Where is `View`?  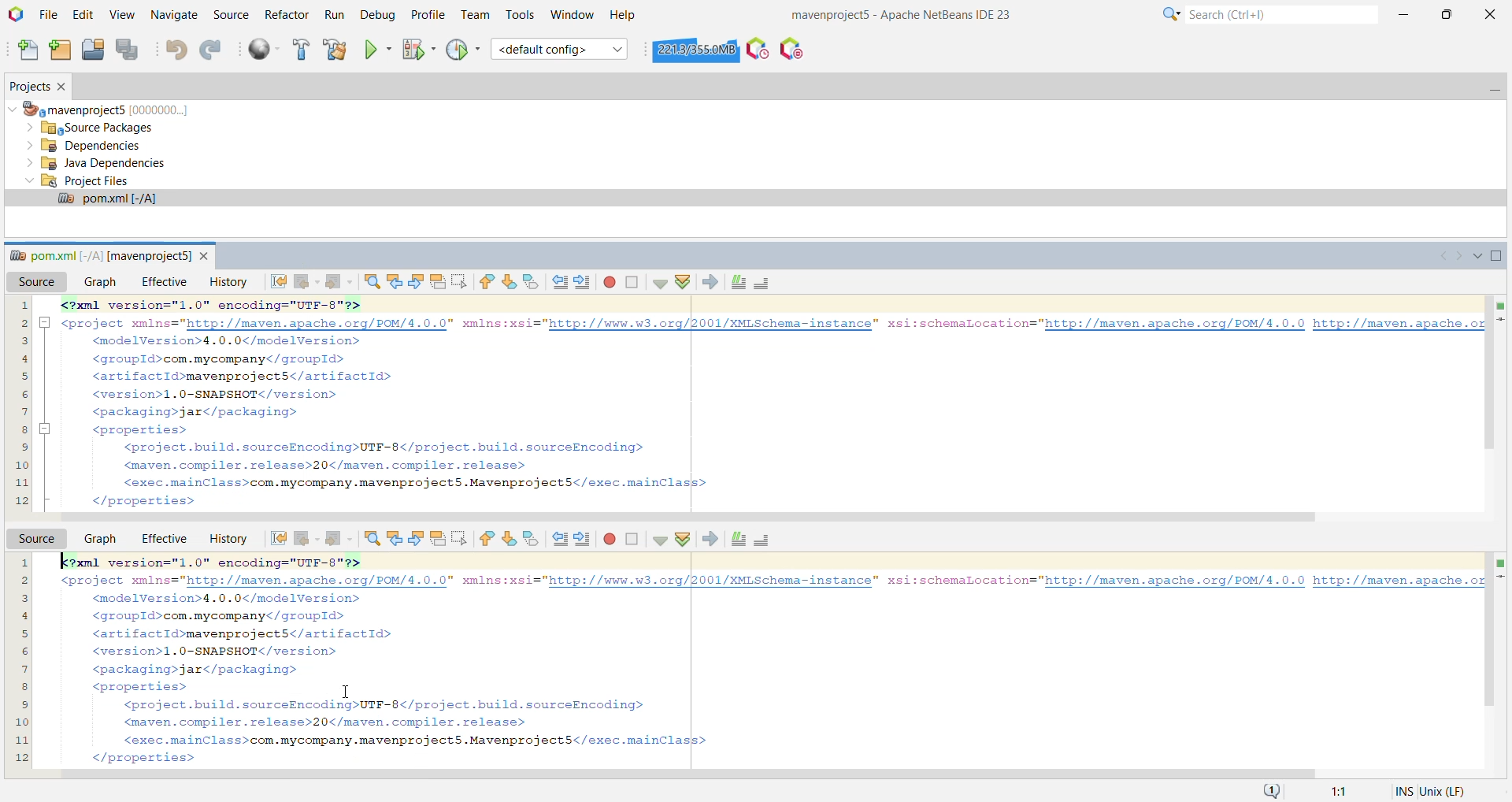 View is located at coordinates (124, 15).